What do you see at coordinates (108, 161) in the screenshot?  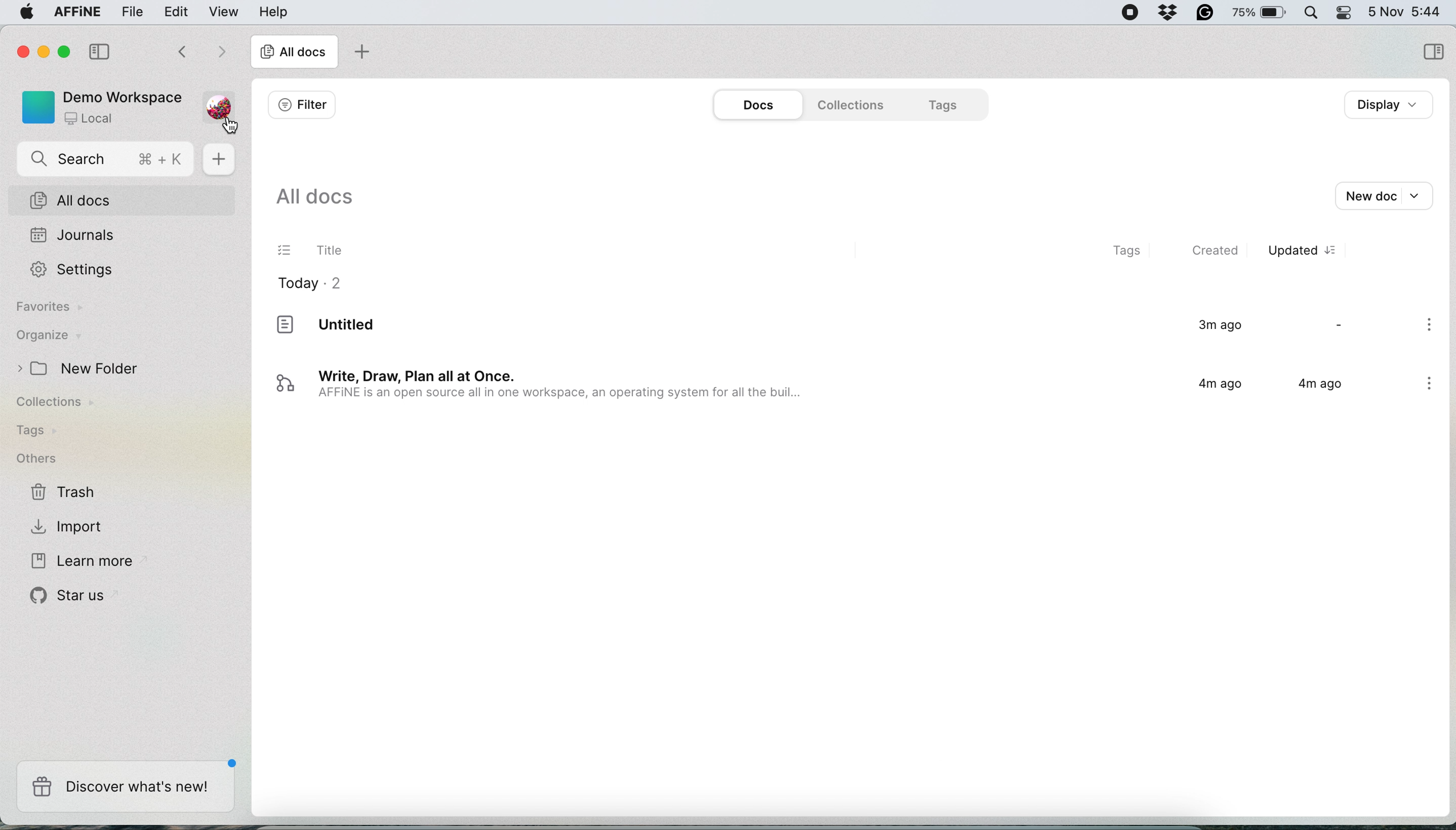 I see `search` at bounding box center [108, 161].